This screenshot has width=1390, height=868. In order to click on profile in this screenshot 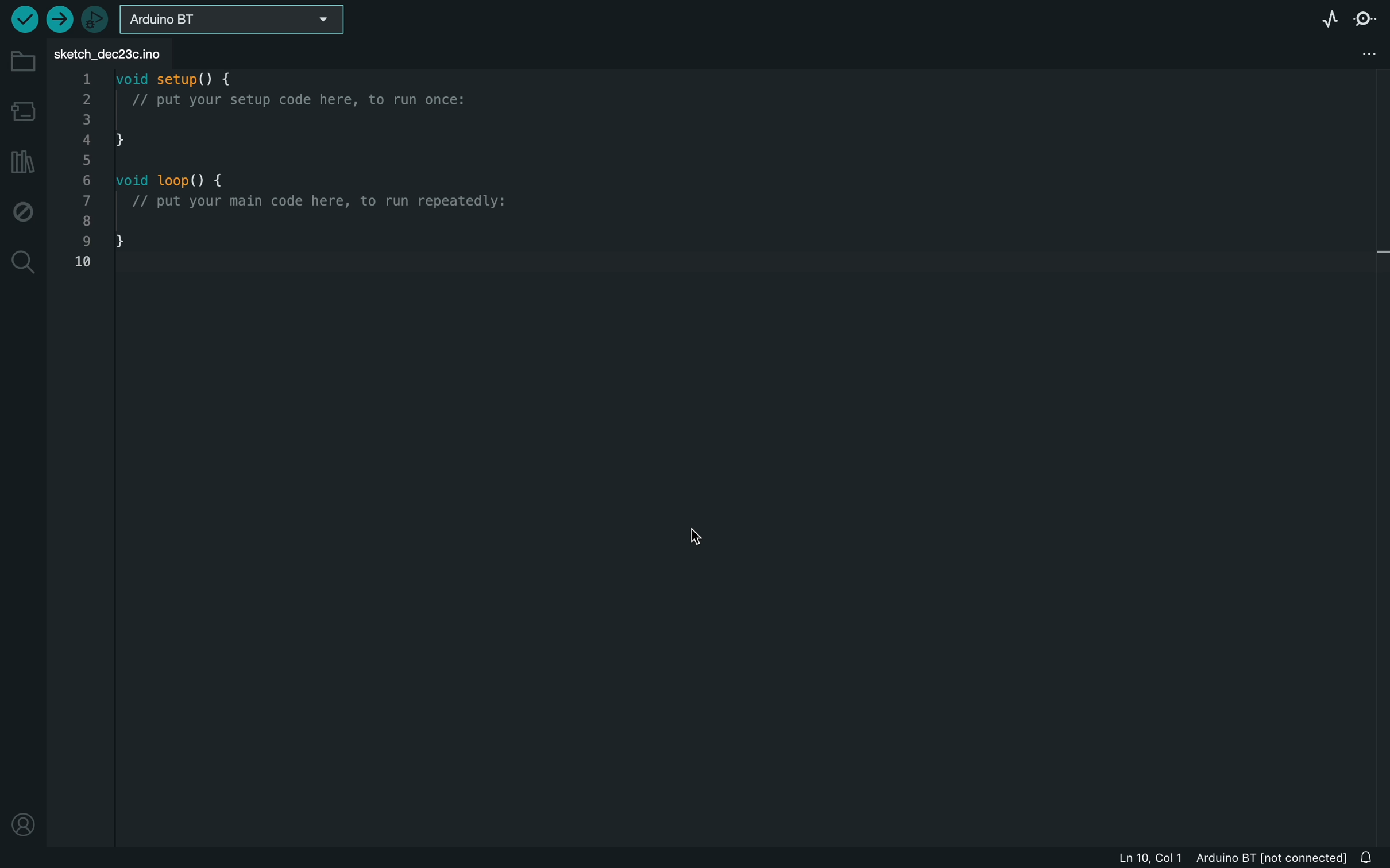, I will do `click(22, 821)`.